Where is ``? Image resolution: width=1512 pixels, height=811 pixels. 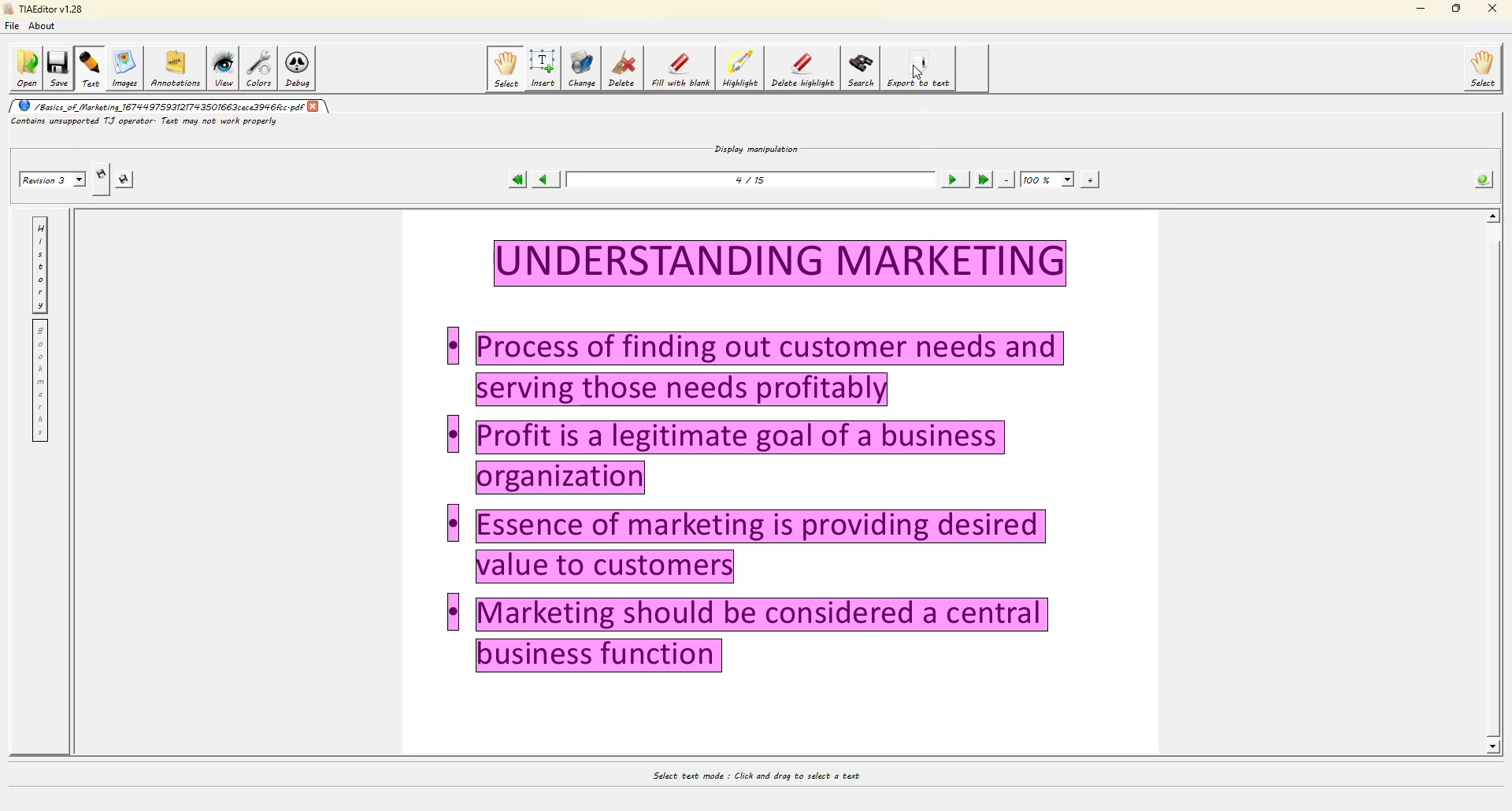
 is located at coordinates (767, 546).